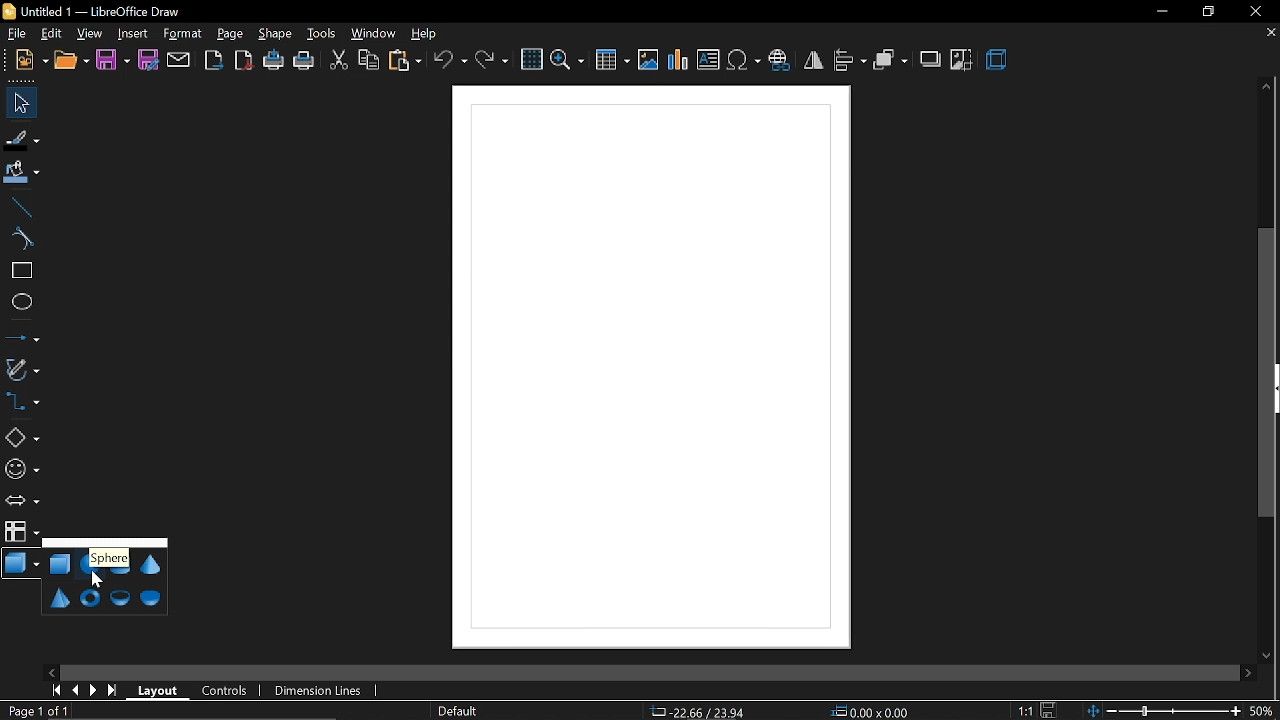 The height and width of the screenshot is (720, 1280). What do you see at coordinates (322, 34) in the screenshot?
I see `tools` at bounding box center [322, 34].